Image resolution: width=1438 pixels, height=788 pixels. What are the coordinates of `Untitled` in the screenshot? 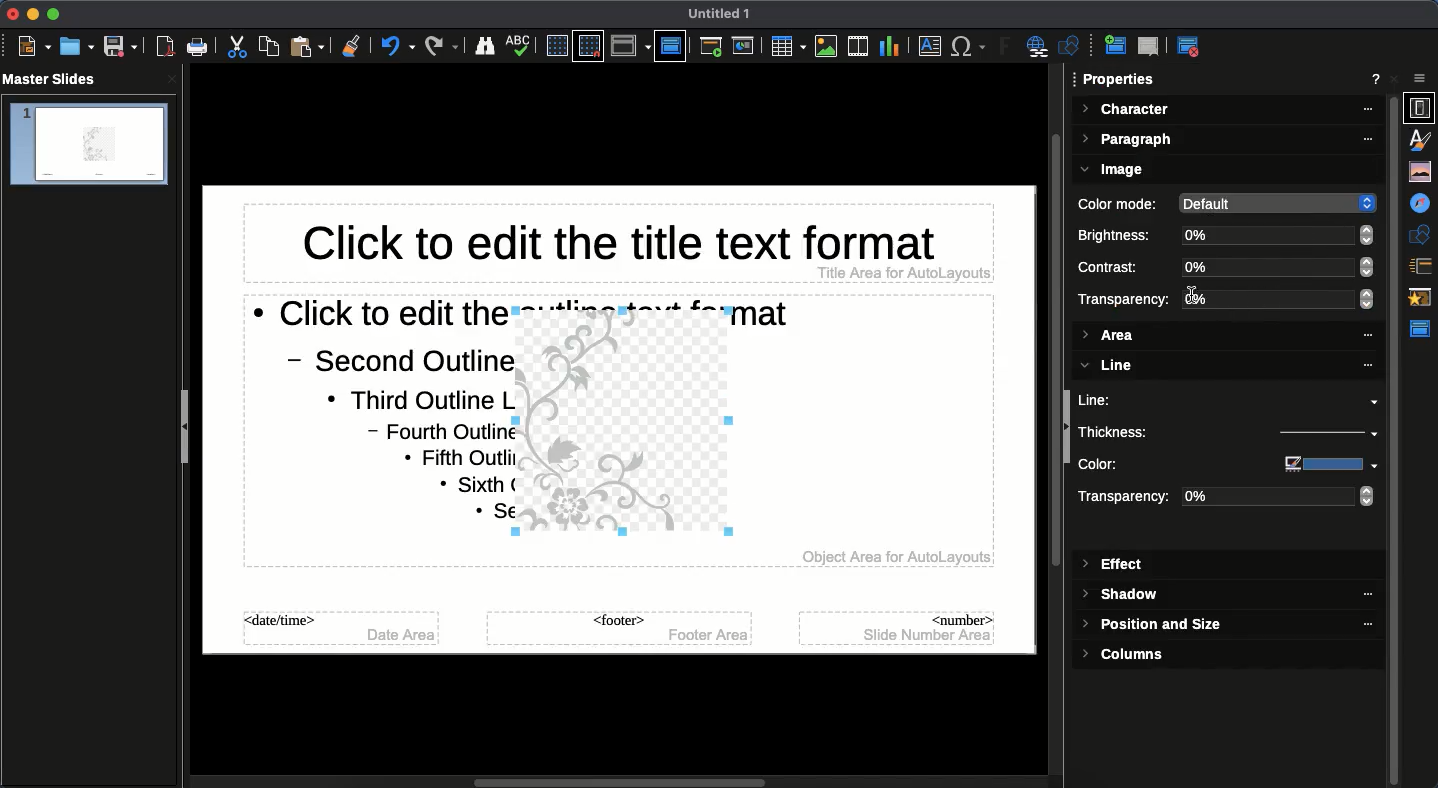 It's located at (720, 14).